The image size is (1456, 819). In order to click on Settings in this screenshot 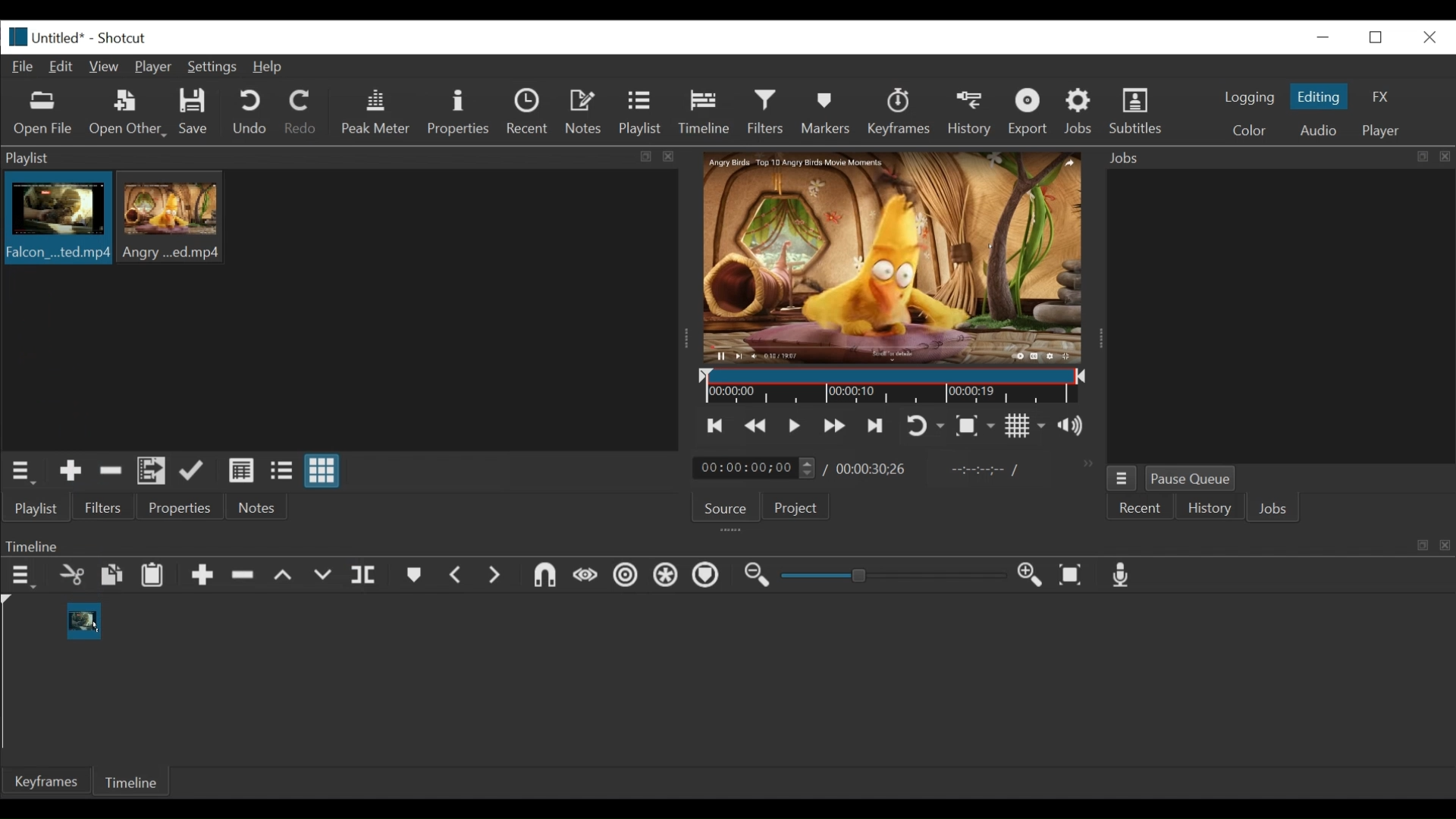, I will do `click(215, 69)`.